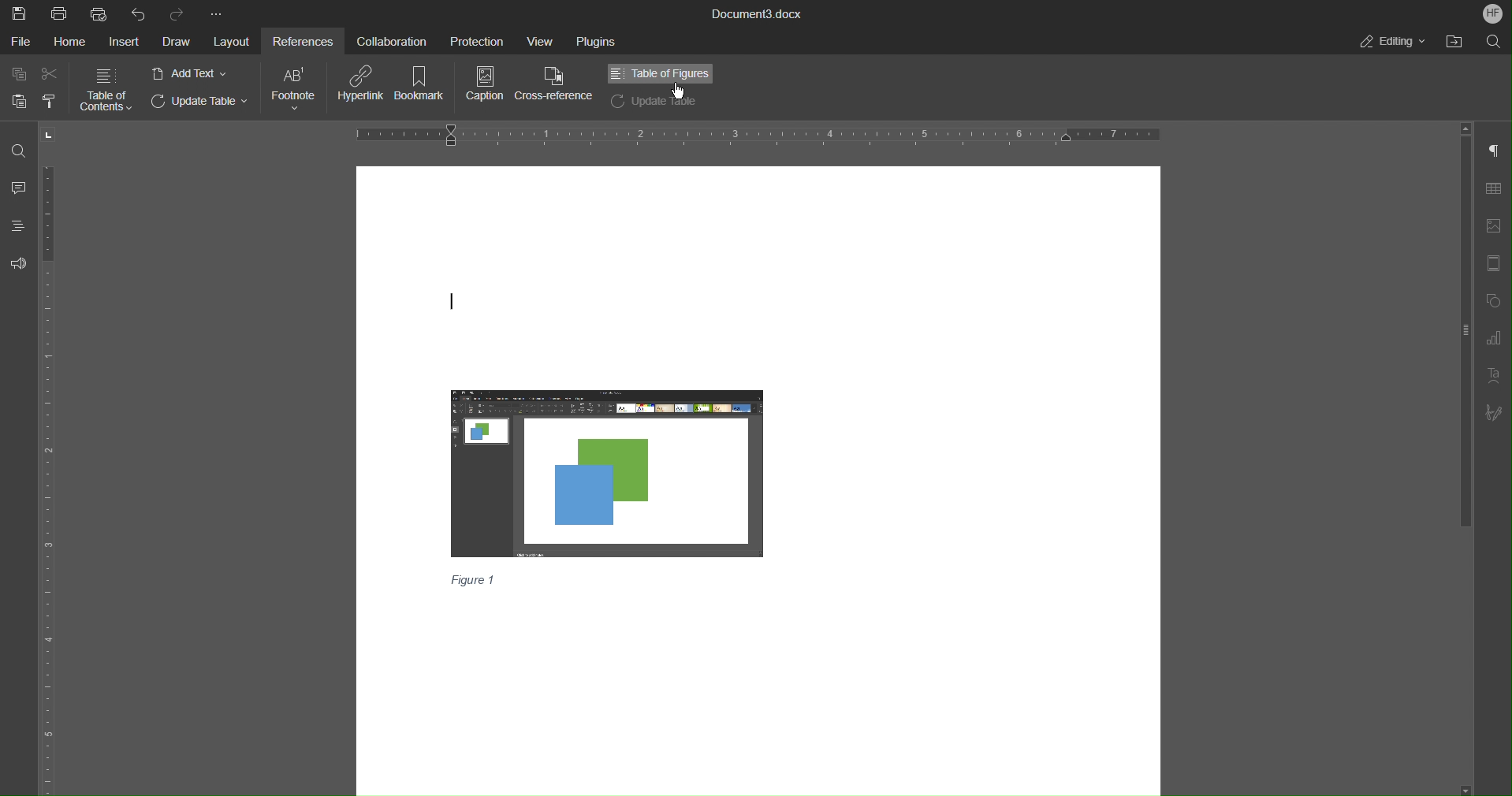 This screenshot has height=796, width=1512. What do you see at coordinates (675, 92) in the screenshot?
I see `pointer` at bounding box center [675, 92].